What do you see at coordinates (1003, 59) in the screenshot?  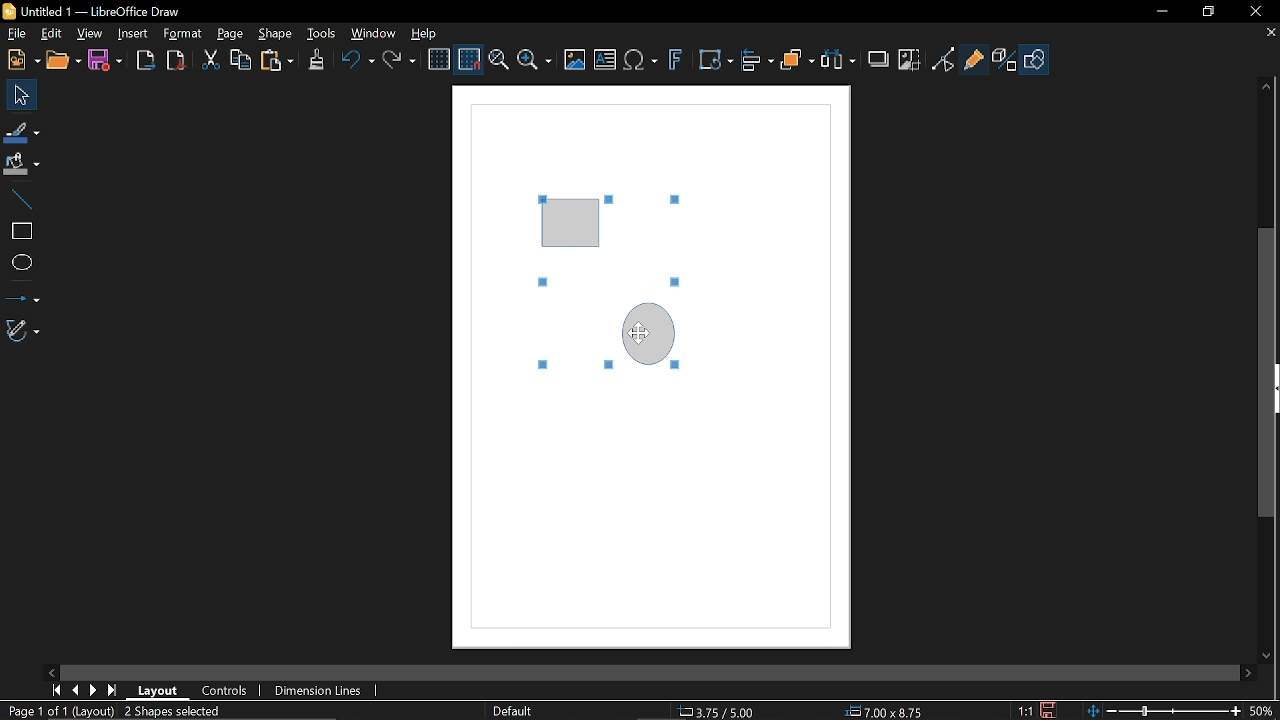 I see `Toggle extrusion` at bounding box center [1003, 59].